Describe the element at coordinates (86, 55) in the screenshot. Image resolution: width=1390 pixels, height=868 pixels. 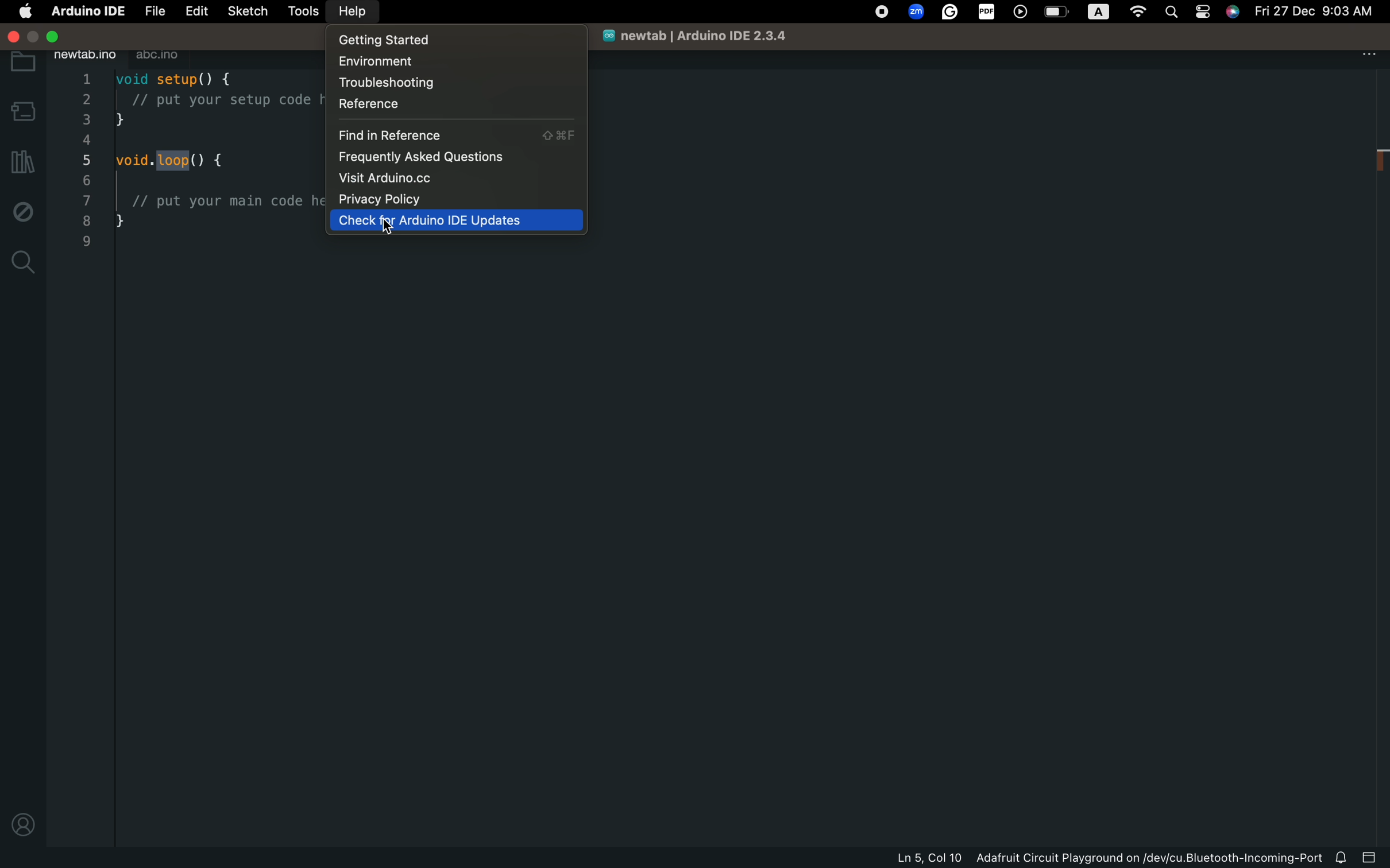
I see `newrab.ino` at that location.